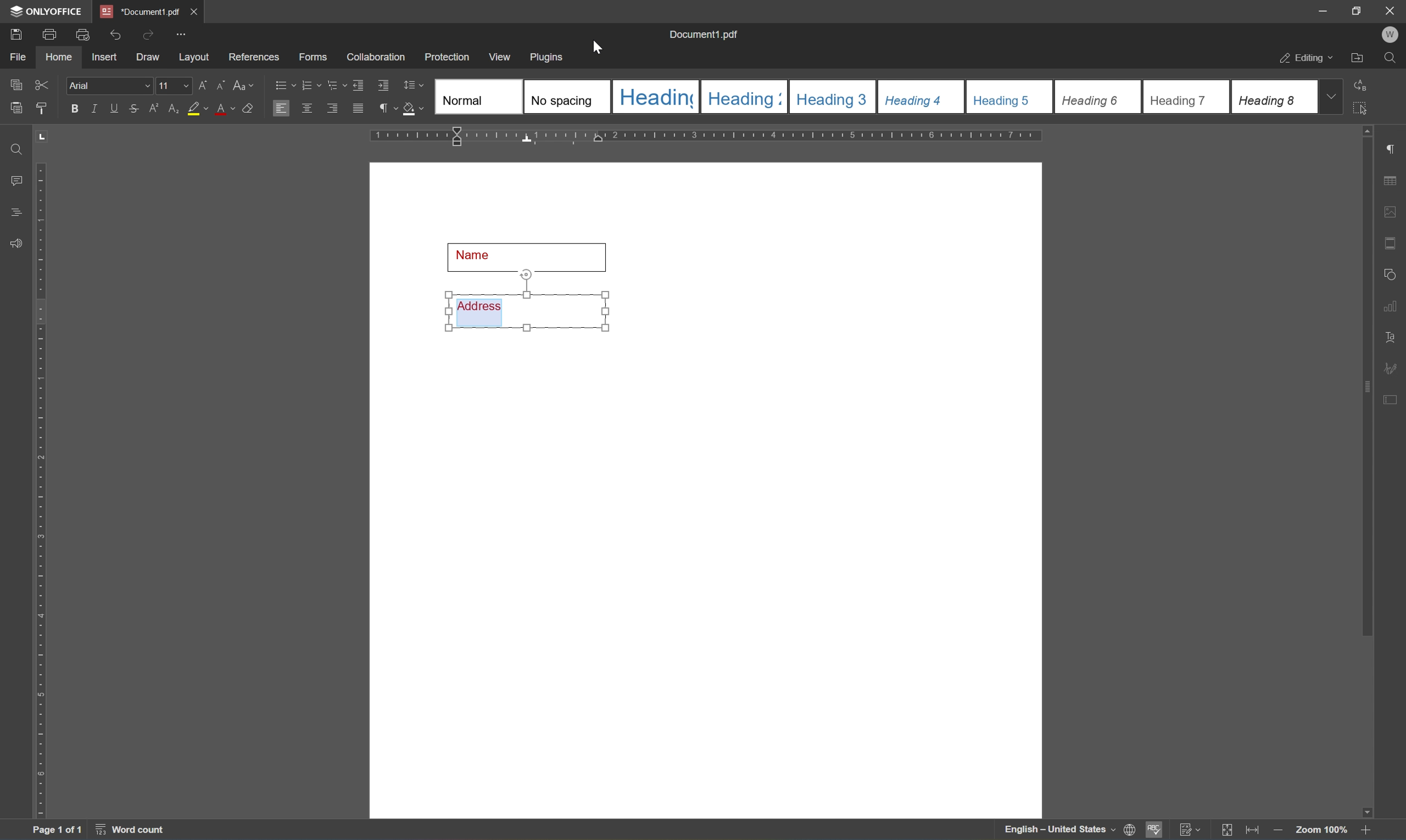 This screenshot has width=1406, height=840. What do you see at coordinates (1228, 830) in the screenshot?
I see `fit to page` at bounding box center [1228, 830].